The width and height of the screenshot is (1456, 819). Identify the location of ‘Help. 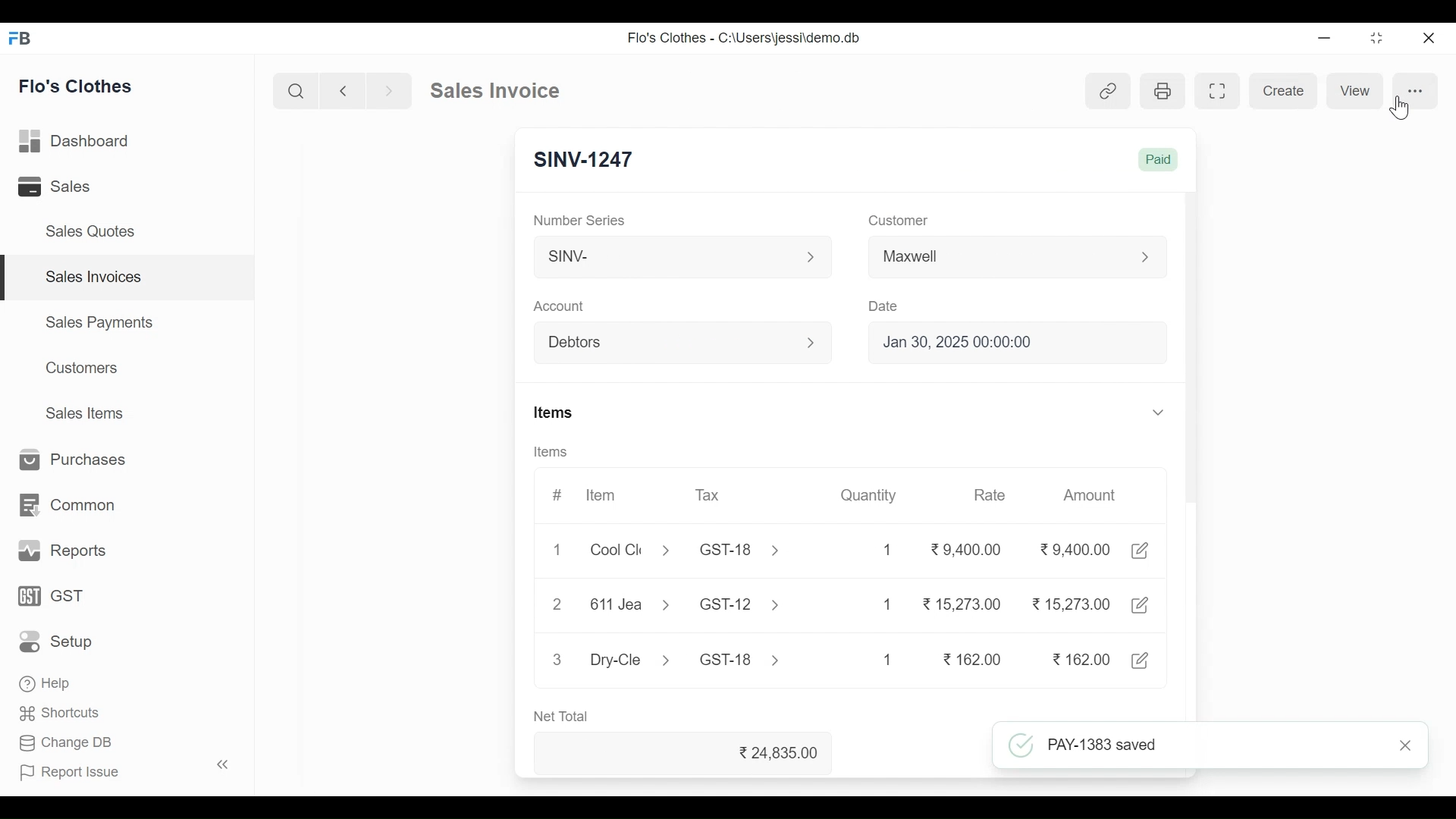
(48, 683).